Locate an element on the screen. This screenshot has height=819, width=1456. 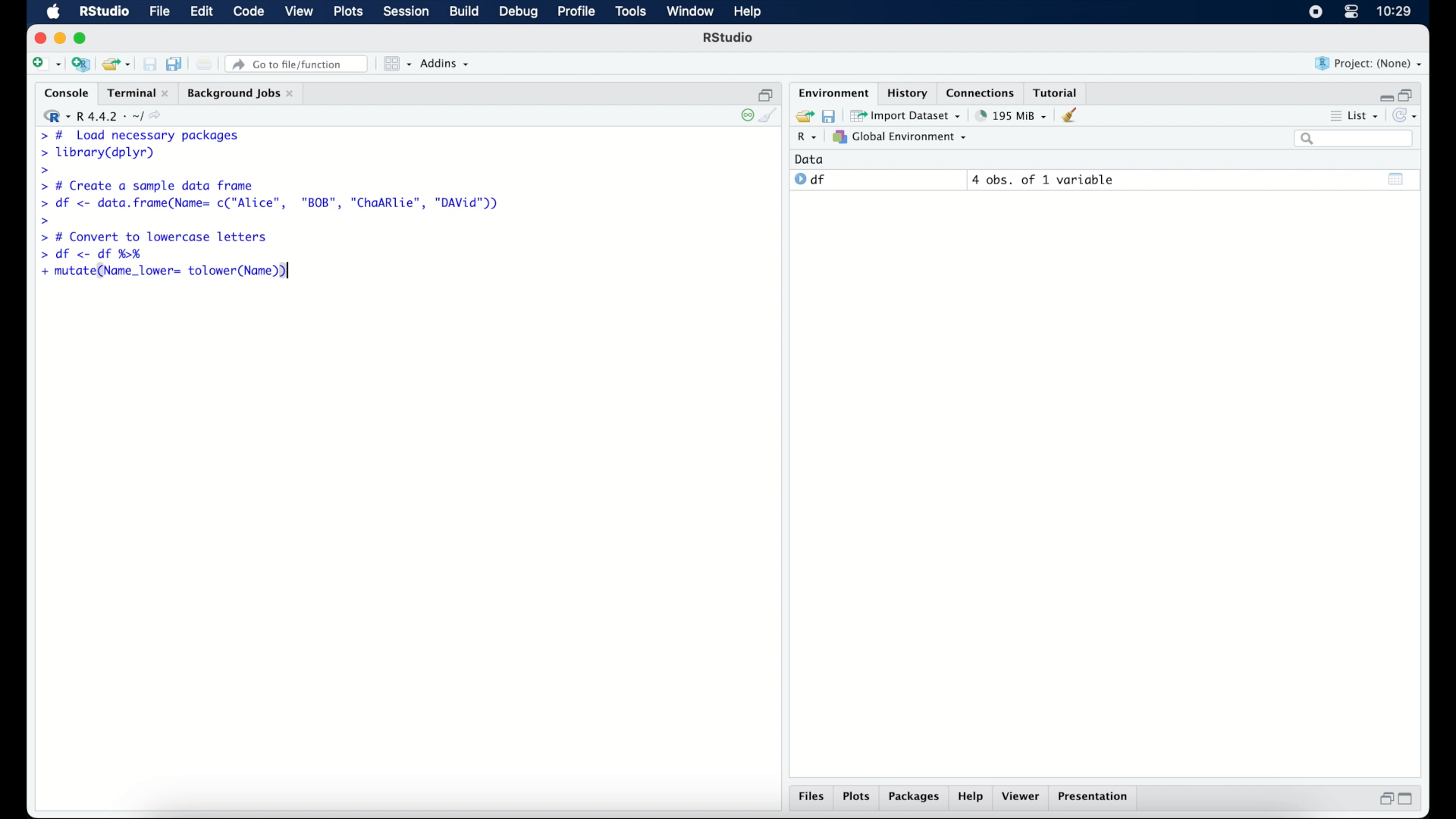
> # Create a sample data frame] is located at coordinates (150, 185).